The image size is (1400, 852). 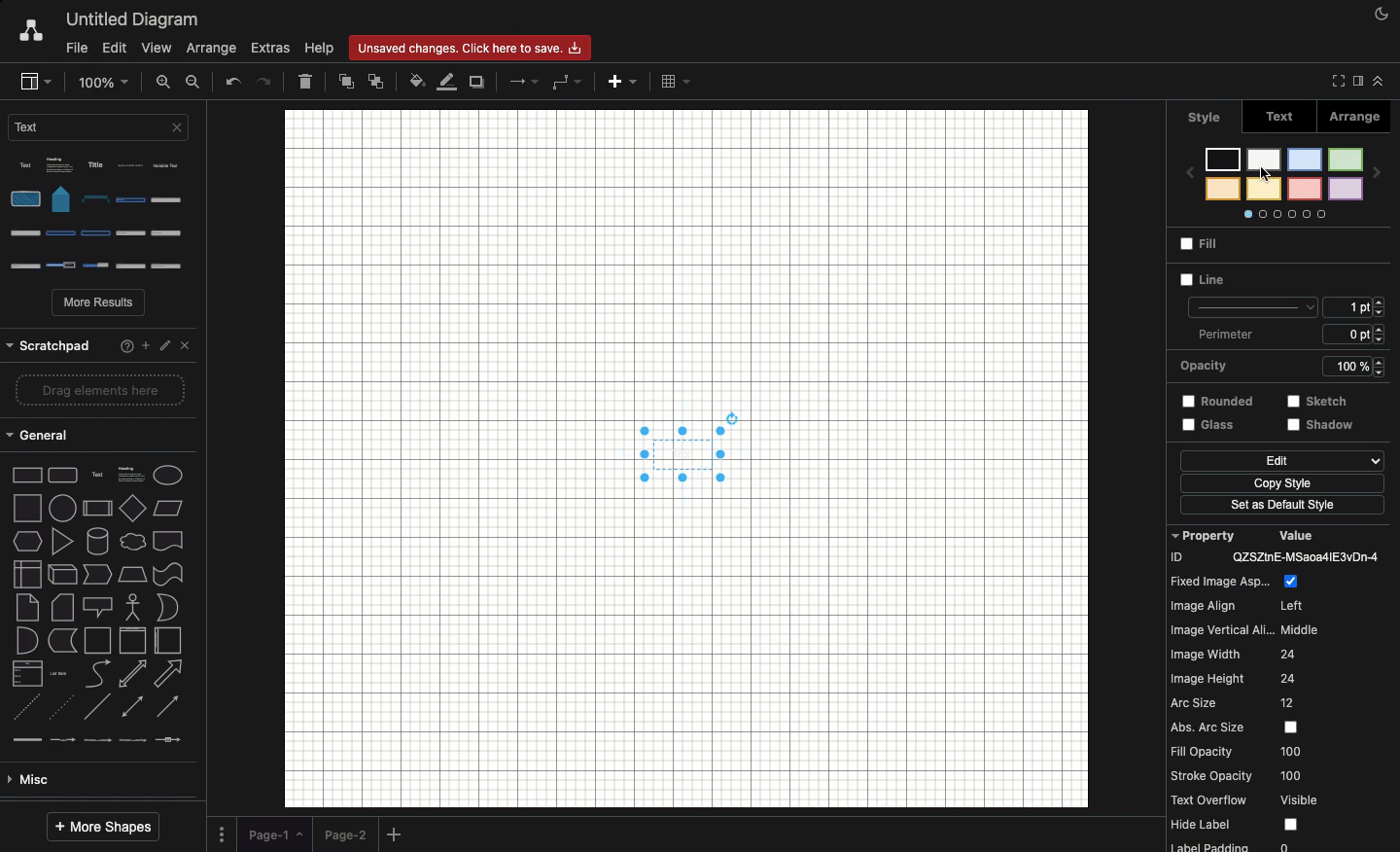 What do you see at coordinates (1218, 400) in the screenshot?
I see `Rounded` at bounding box center [1218, 400].